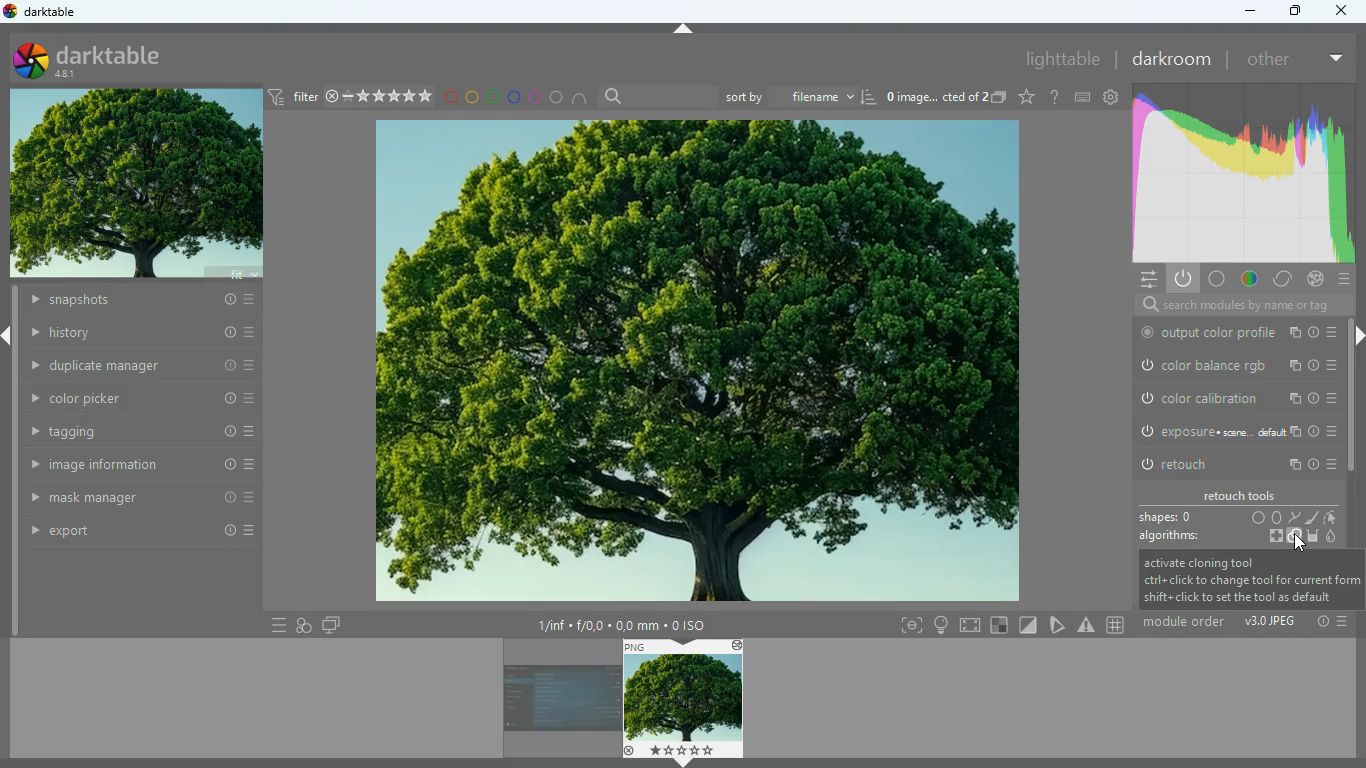 Image resolution: width=1366 pixels, height=768 pixels. What do you see at coordinates (1182, 280) in the screenshot?
I see `power` at bounding box center [1182, 280].